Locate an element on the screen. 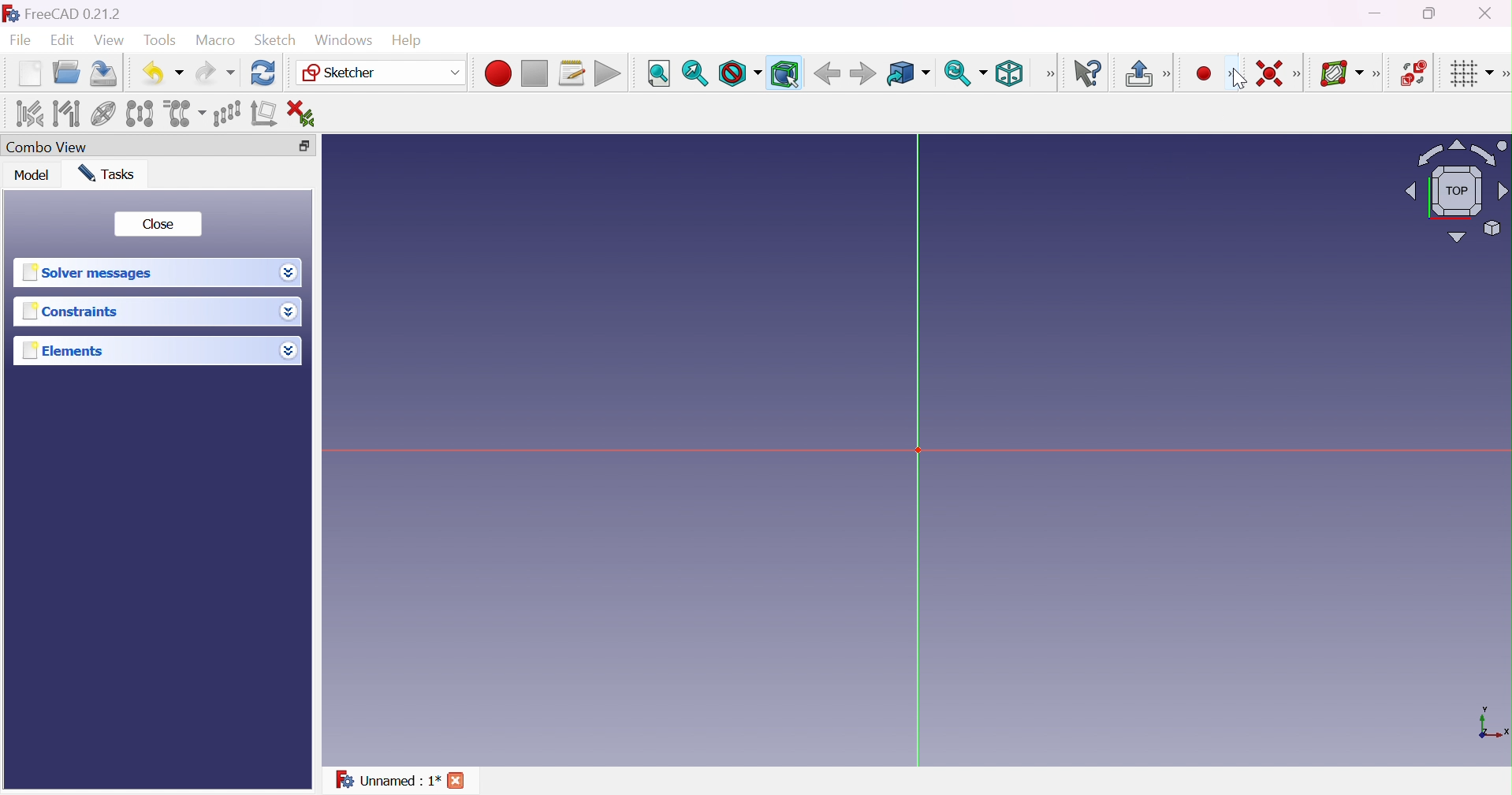 The height and width of the screenshot is (795, 1512). [View] is located at coordinates (1050, 73).